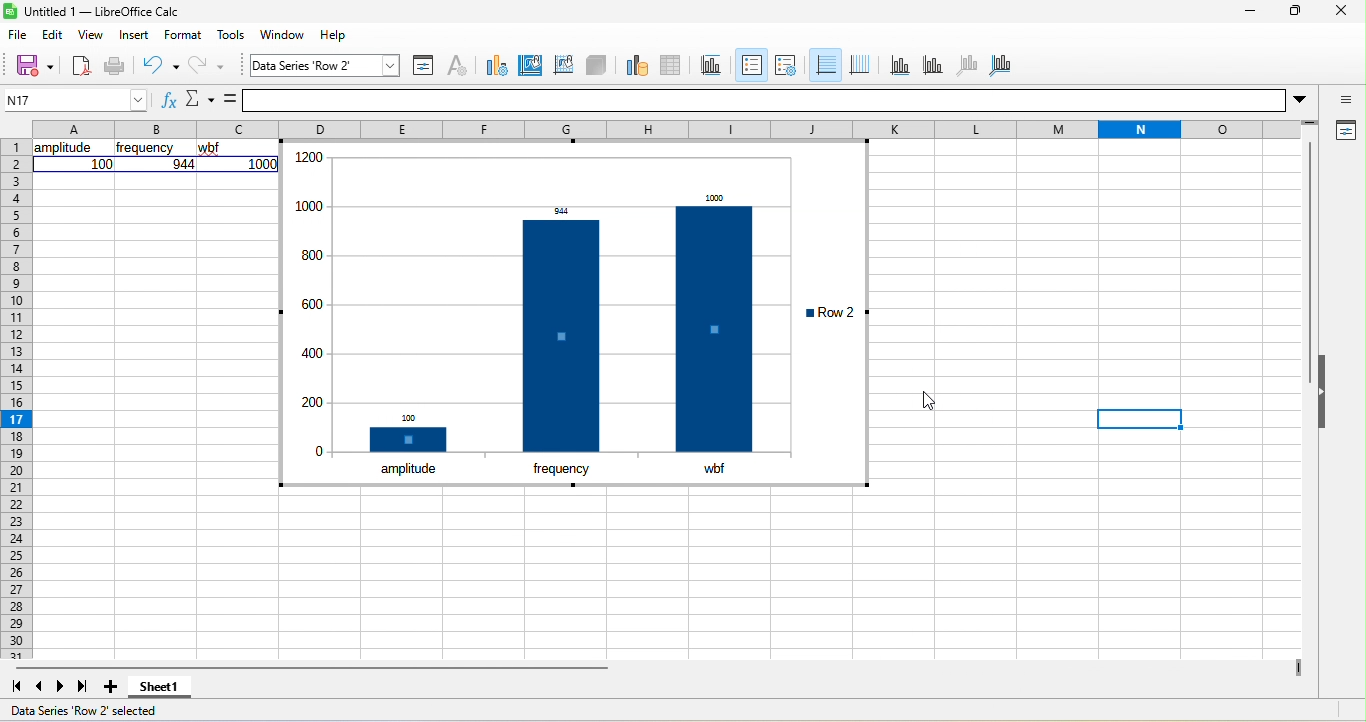 This screenshot has height=722, width=1366. I want to click on rows, so click(15, 399).